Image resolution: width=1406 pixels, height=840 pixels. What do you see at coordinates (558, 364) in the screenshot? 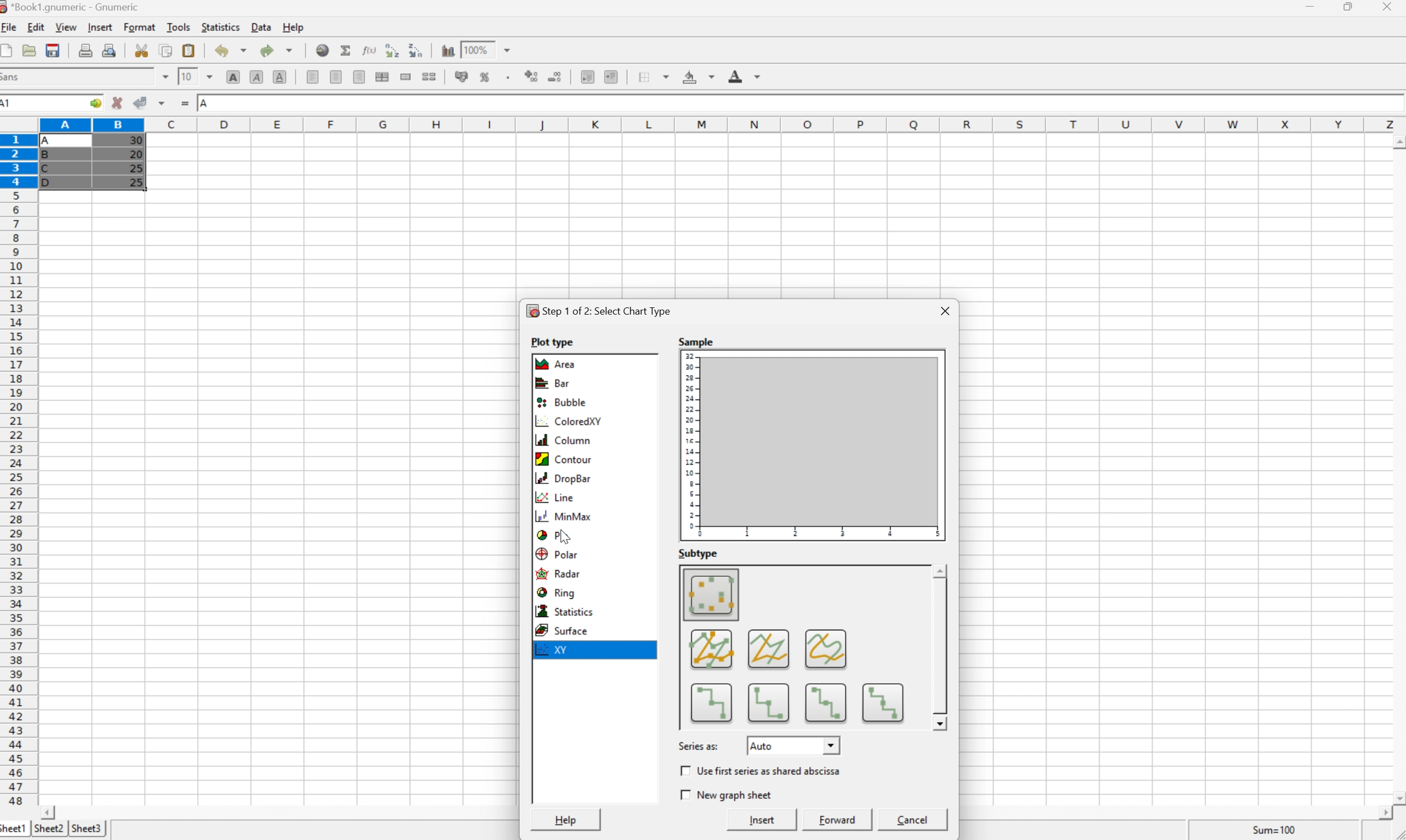
I see `Area` at bounding box center [558, 364].